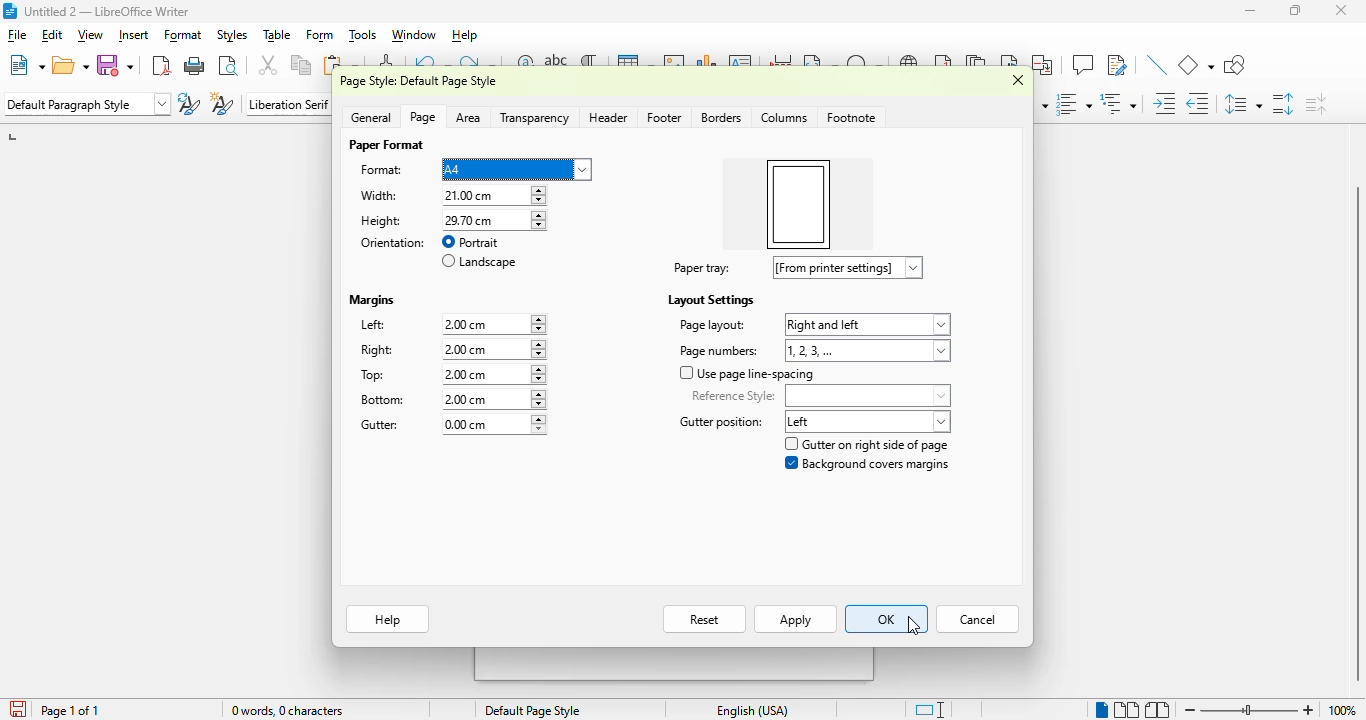 Image resolution: width=1366 pixels, height=720 pixels. I want to click on cancel, so click(980, 619).